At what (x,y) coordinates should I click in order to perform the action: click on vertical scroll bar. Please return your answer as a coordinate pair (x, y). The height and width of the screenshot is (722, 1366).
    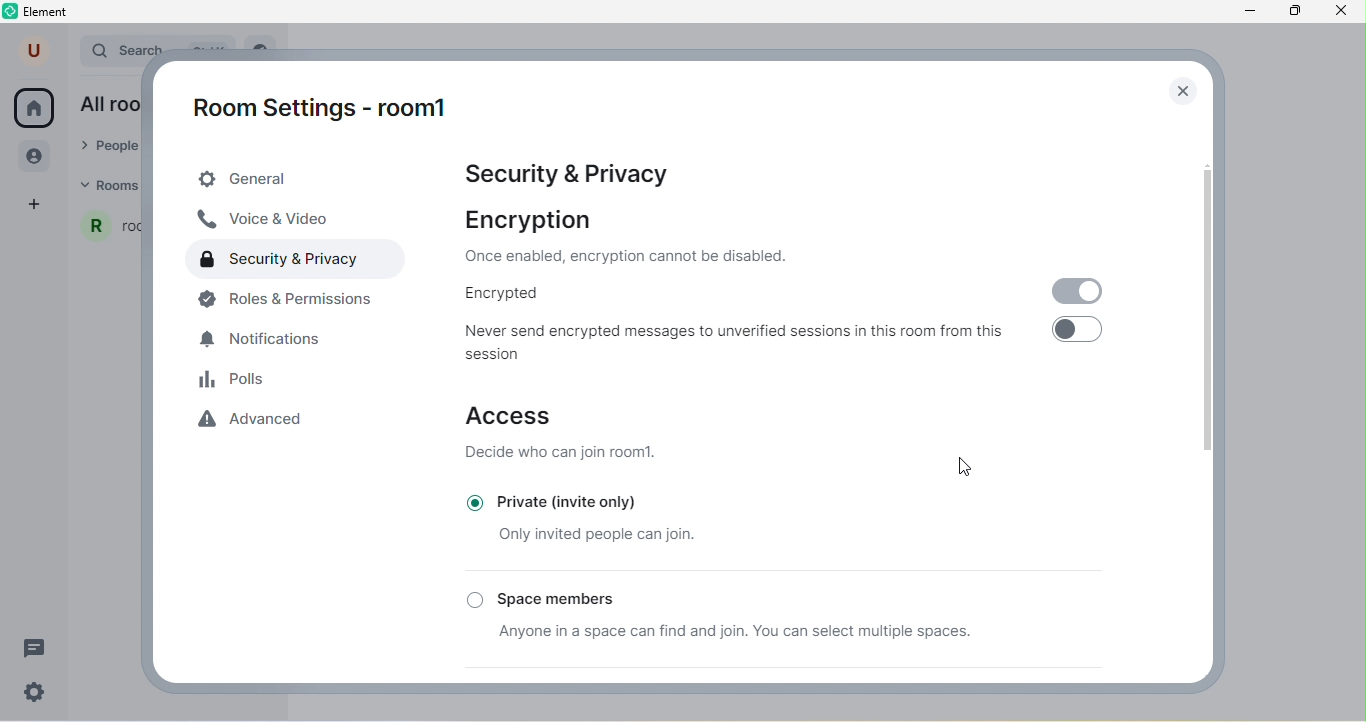
    Looking at the image, I should click on (1202, 313).